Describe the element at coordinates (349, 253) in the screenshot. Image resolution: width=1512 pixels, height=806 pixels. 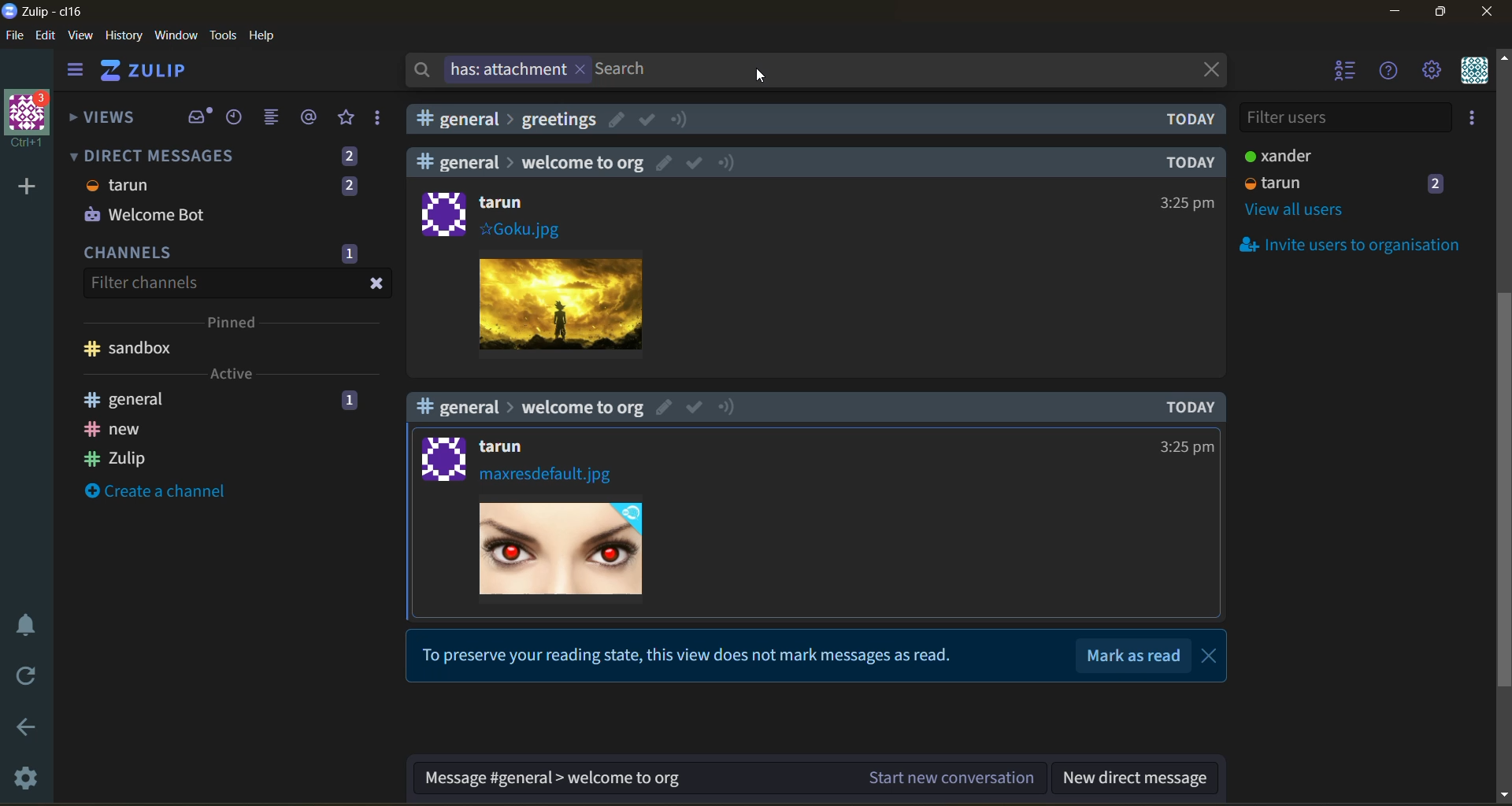
I see `1` at that location.